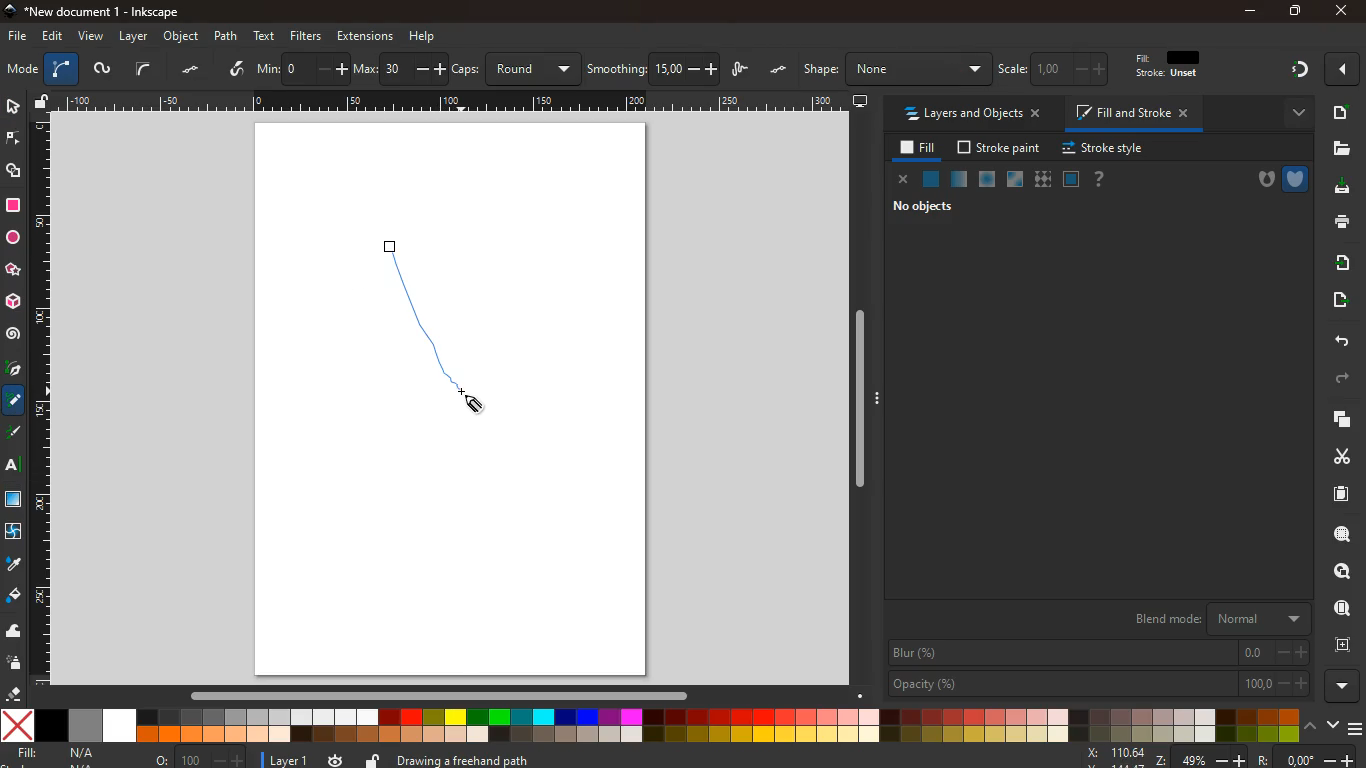 Image resolution: width=1366 pixels, height=768 pixels. I want to click on filters, so click(306, 36).